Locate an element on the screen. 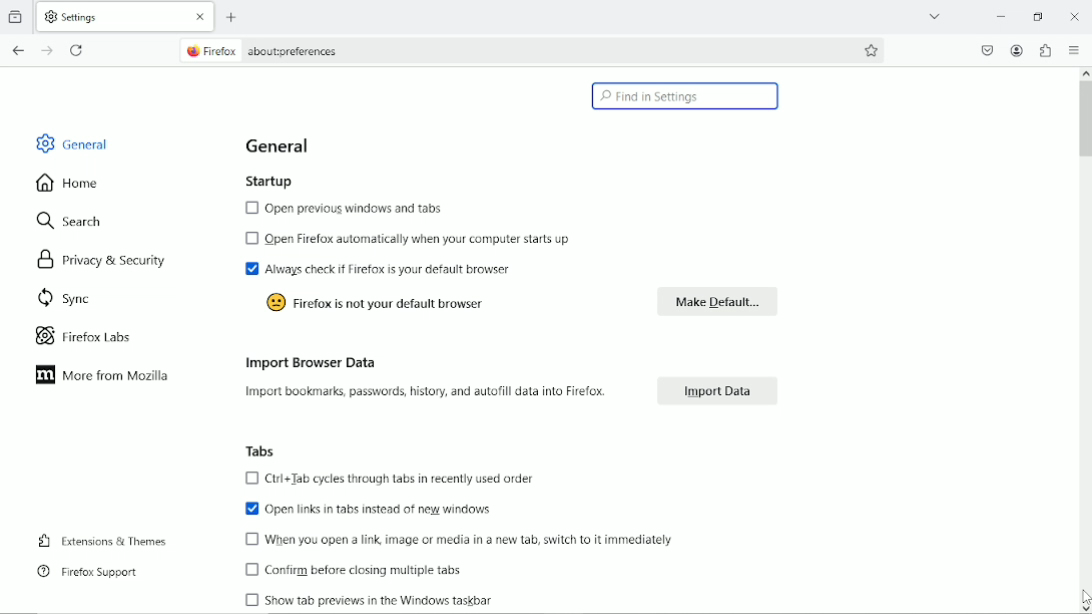 Image resolution: width=1092 pixels, height=614 pixels. View recent browsing is located at coordinates (17, 15).